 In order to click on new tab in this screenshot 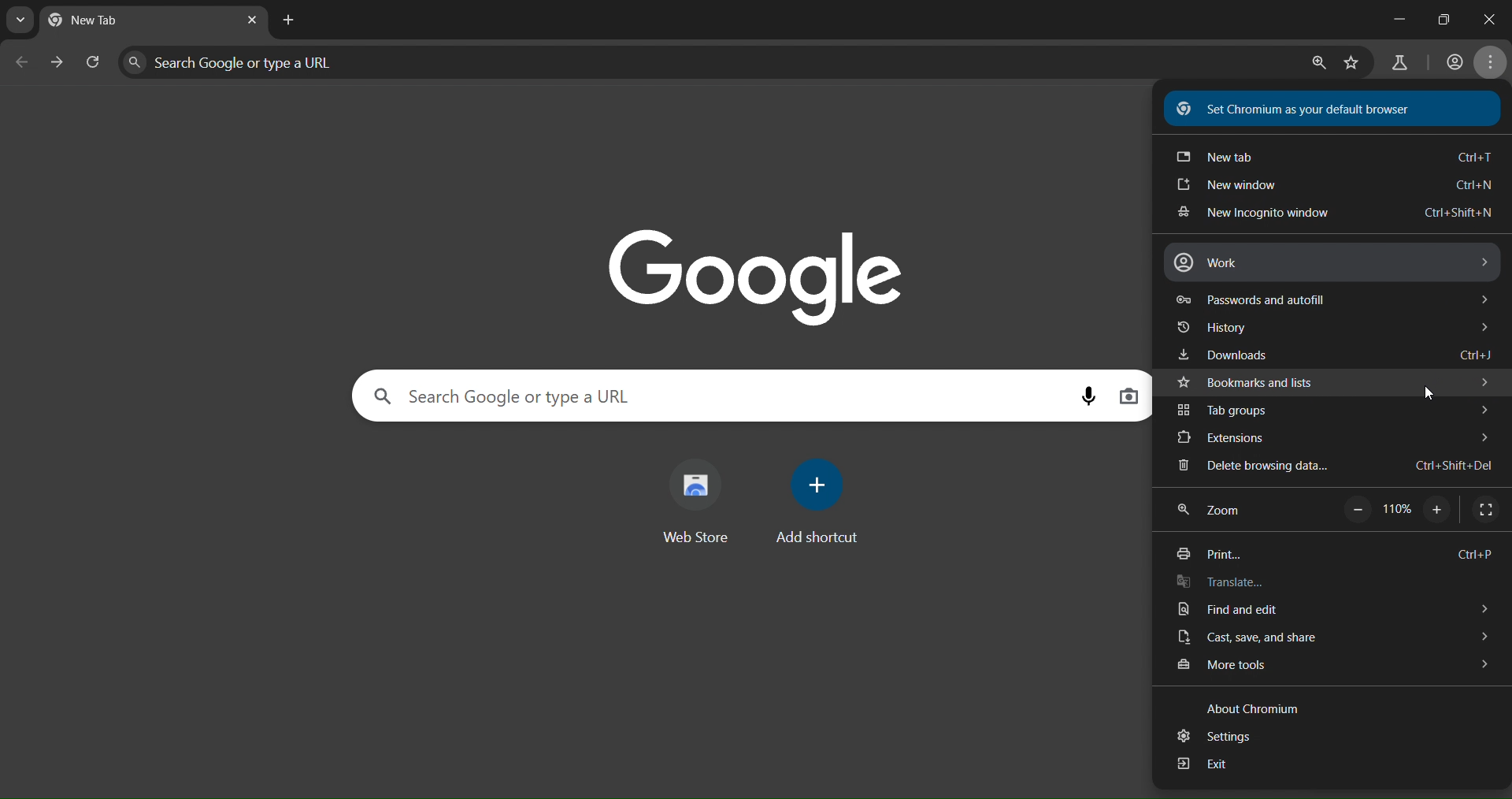, I will do `click(1332, 158)`.